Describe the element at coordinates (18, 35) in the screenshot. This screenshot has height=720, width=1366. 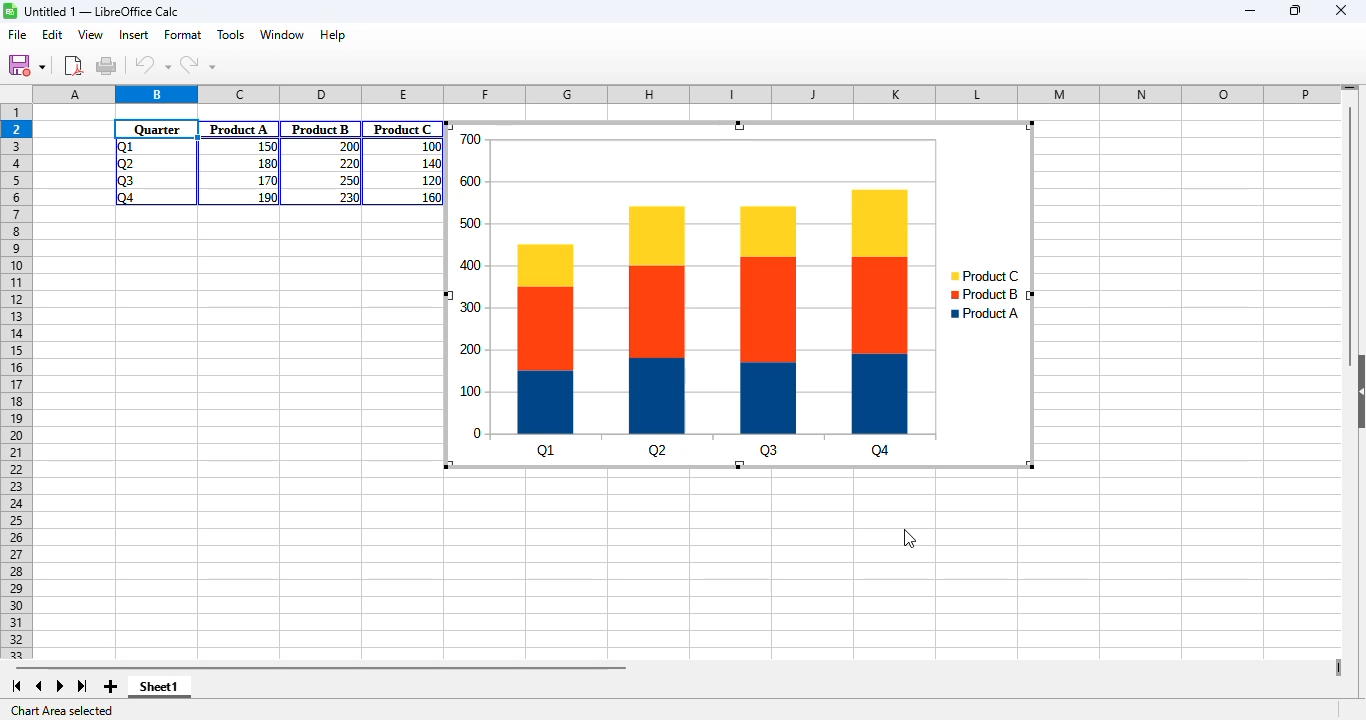
I see `file` at that location.